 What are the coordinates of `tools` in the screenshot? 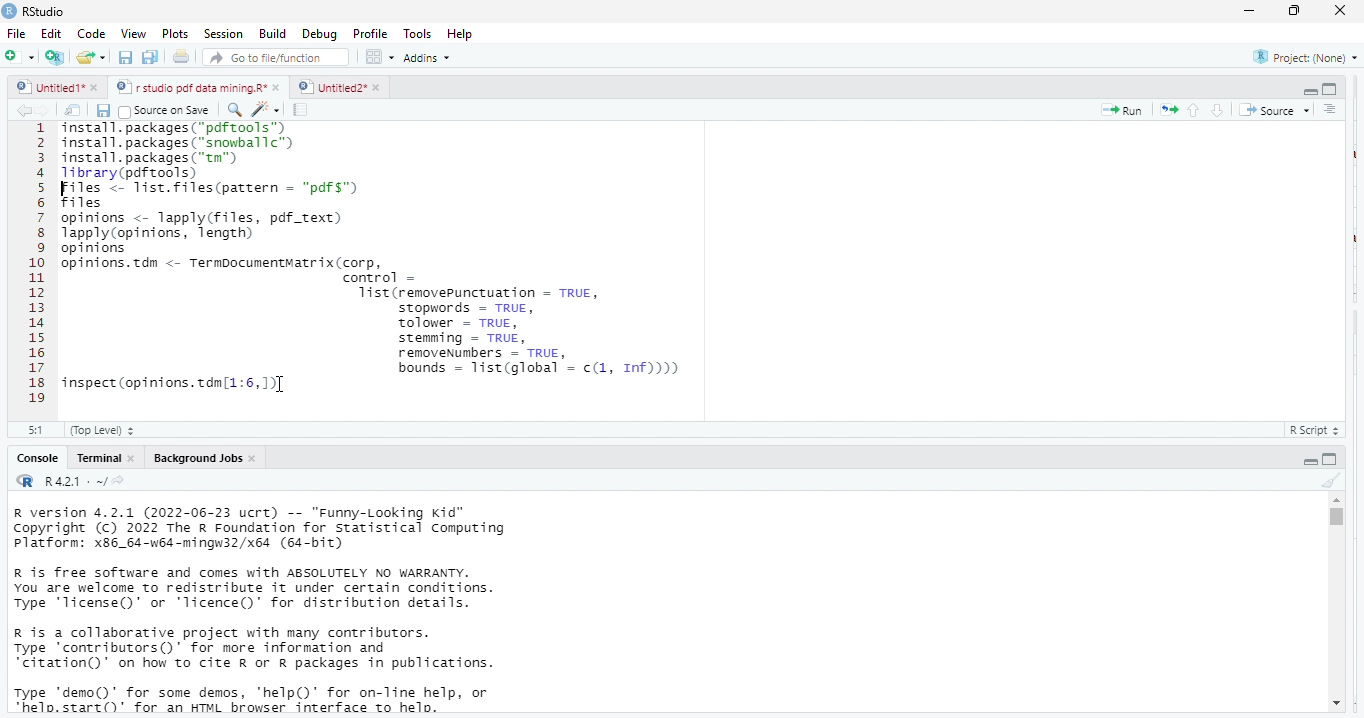 It's located at (420, 32).